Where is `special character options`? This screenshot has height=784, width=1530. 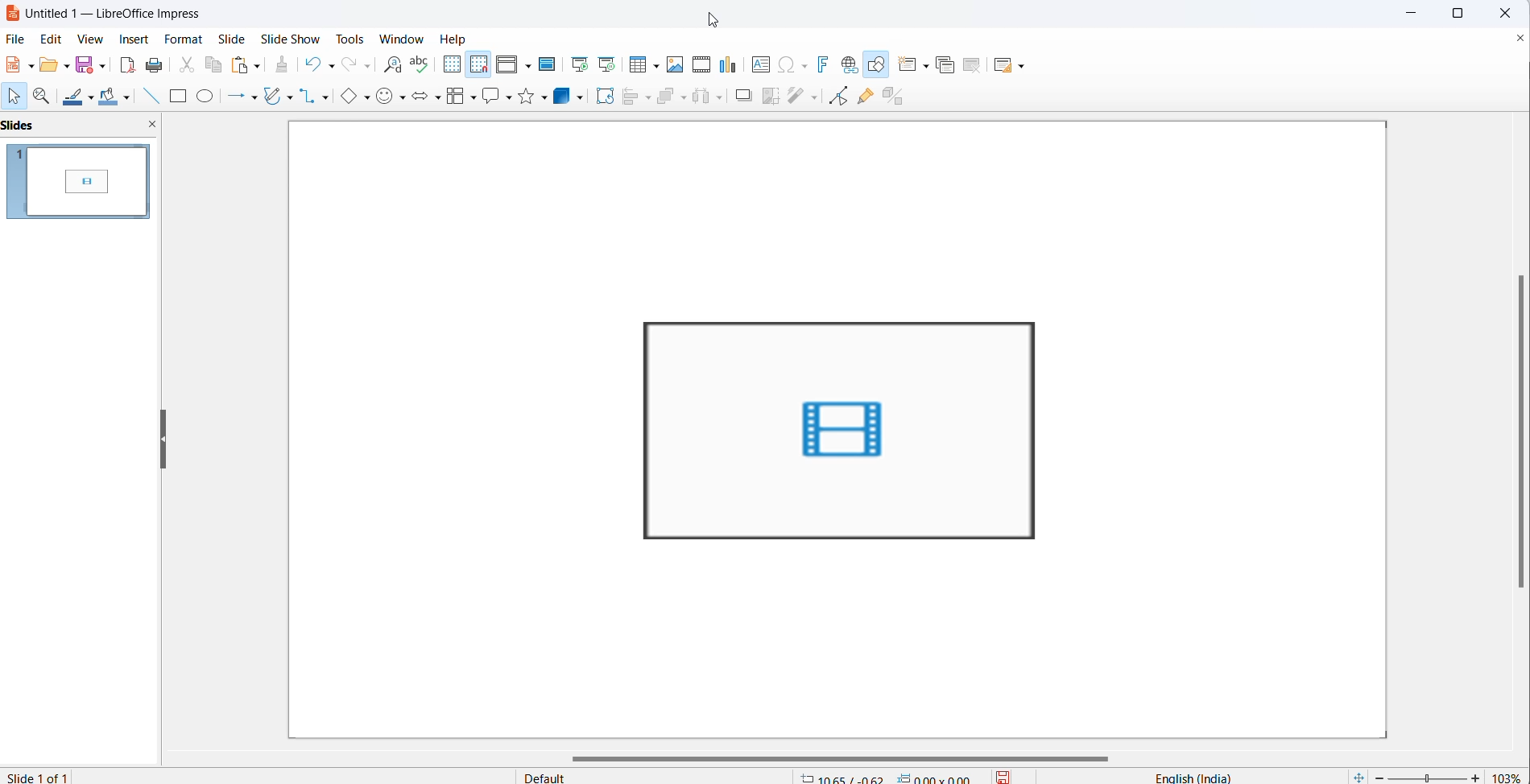
special character options is located at coordinates (806, 65).